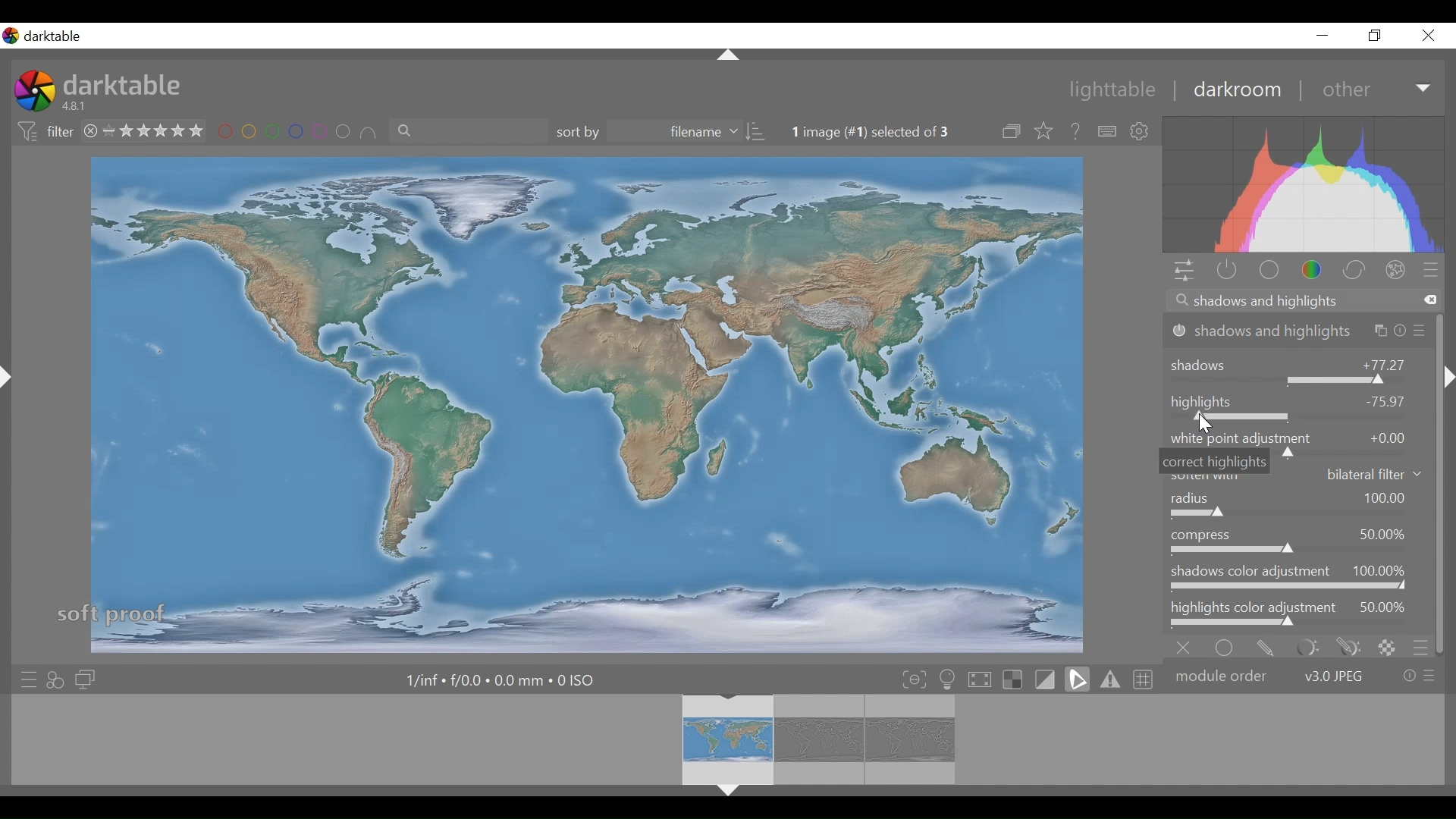 This screenshot has width=1456, height=819. Describe the element at coordinates (144, 130) in the screenshot. I see `range rating` at that location.